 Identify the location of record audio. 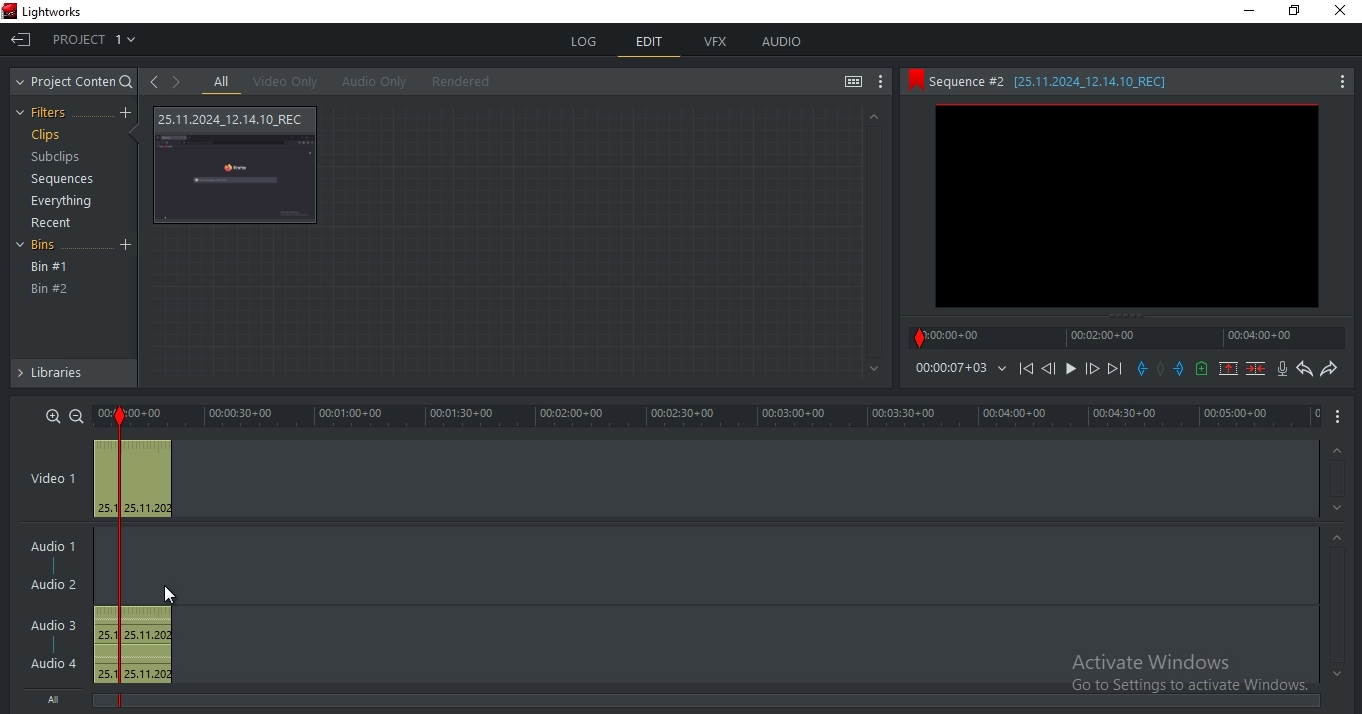
(1282, 369).